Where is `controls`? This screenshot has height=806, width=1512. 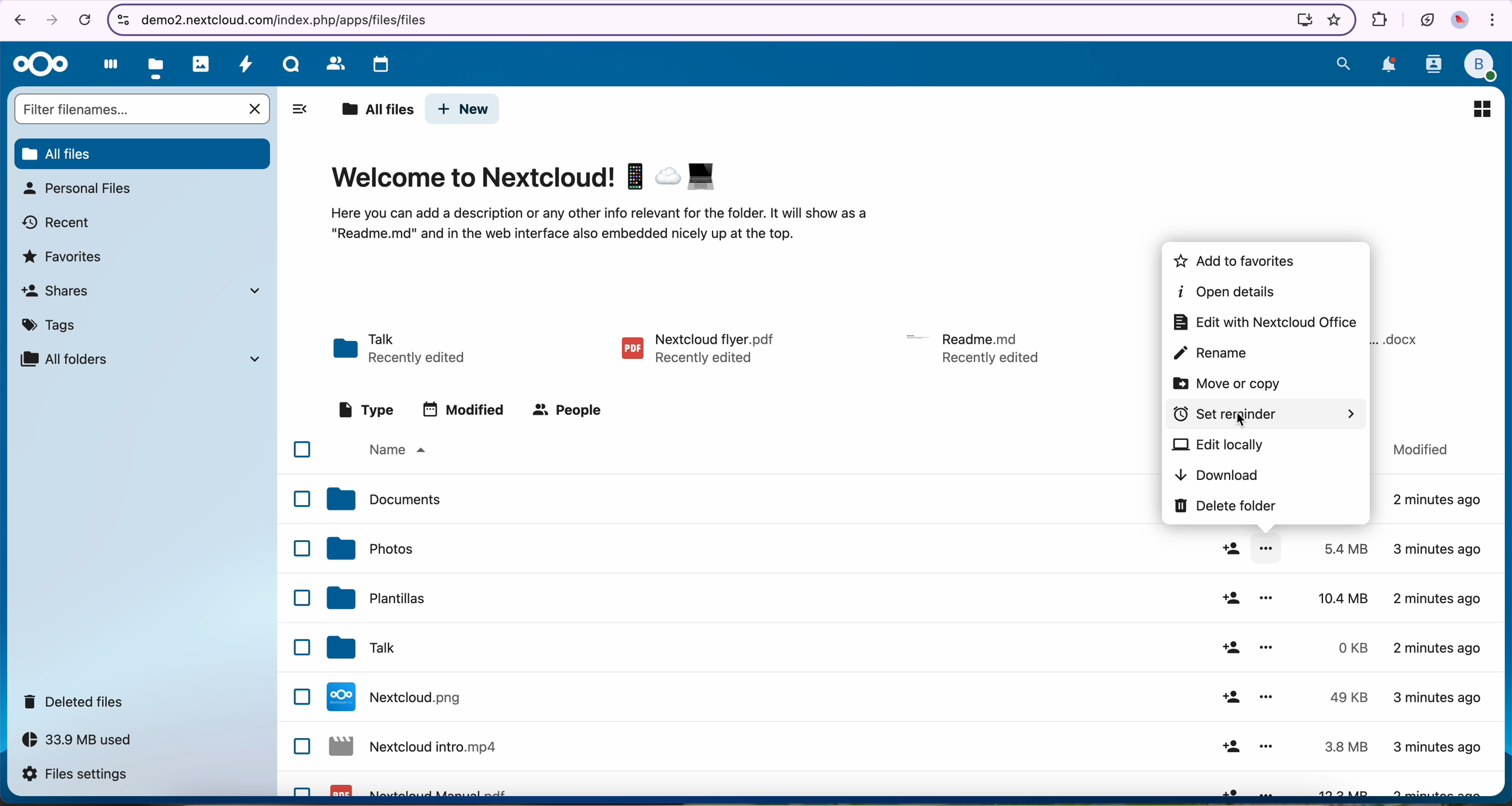
controls is located at coordinates (121, 18).